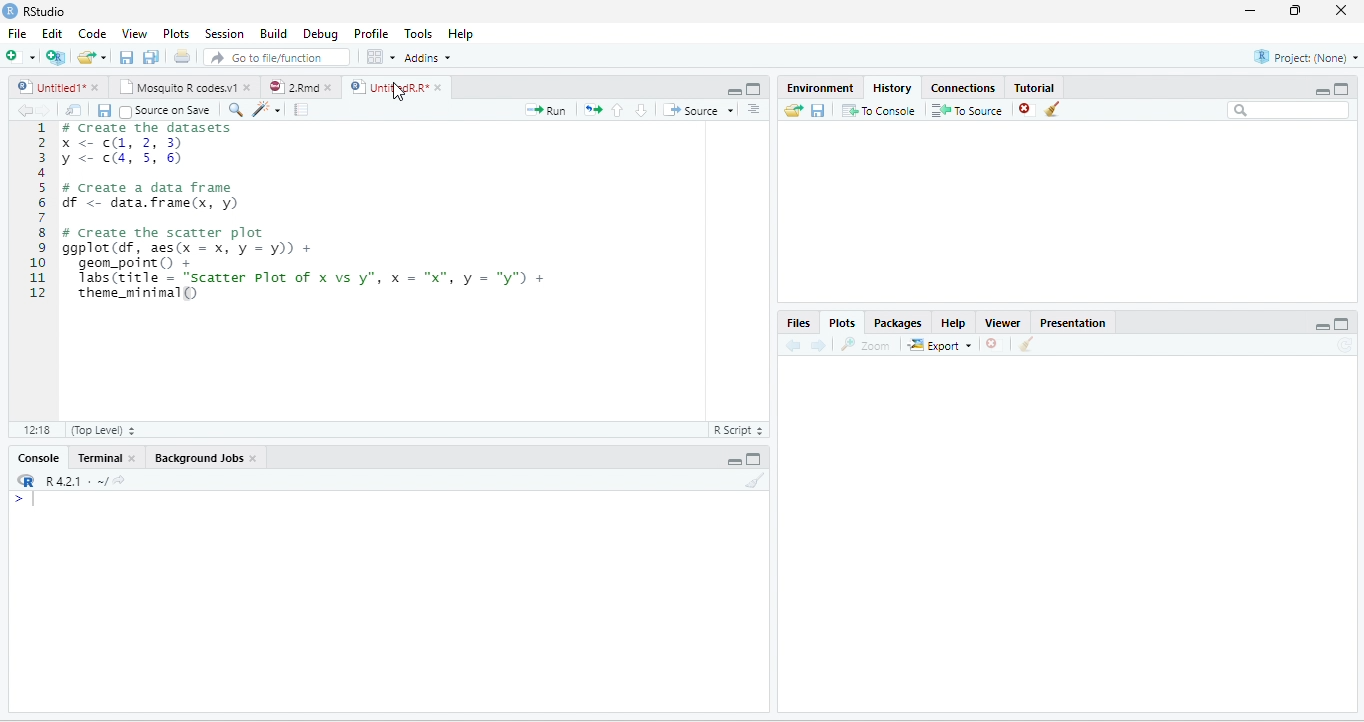 This screenshot has height=722, width=1364. What do you see at coordinates (91, 33) in the screenshot?
I see `Code` at bounding box center [91, 33].